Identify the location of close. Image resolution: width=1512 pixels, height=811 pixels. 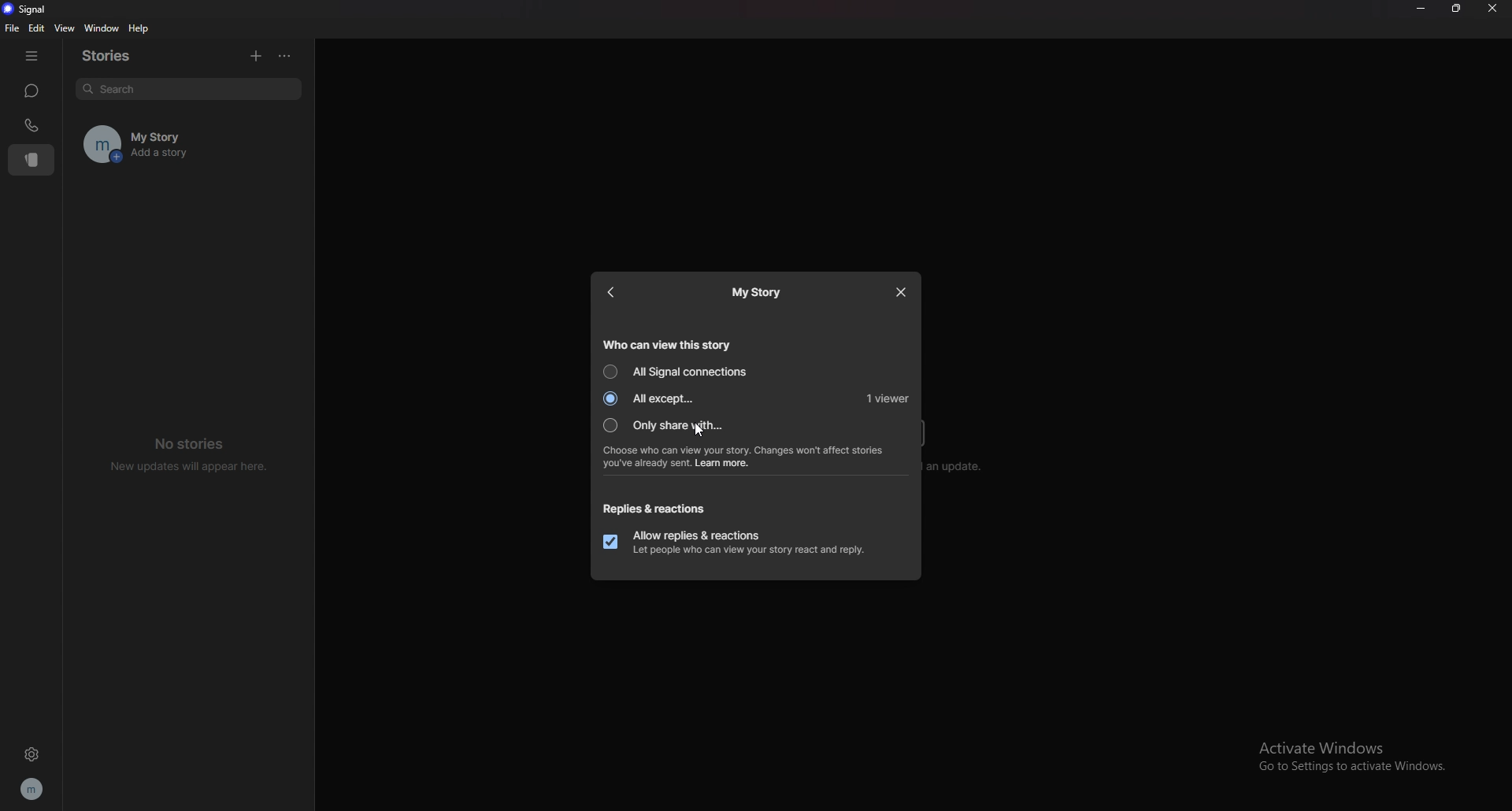
(1492, 9).